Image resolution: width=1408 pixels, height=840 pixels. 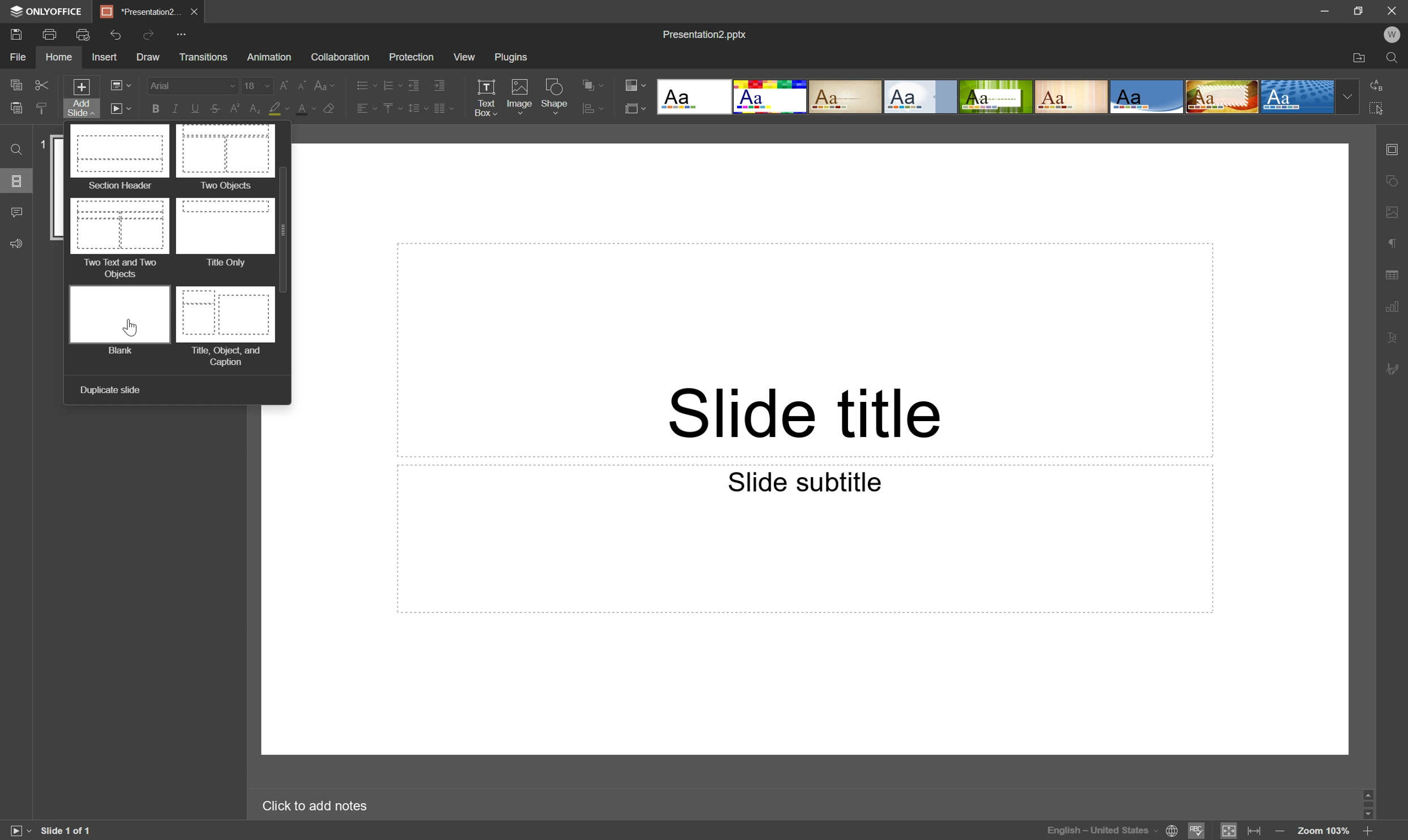 I want to click on Superscript, so click(x=234, y=109).